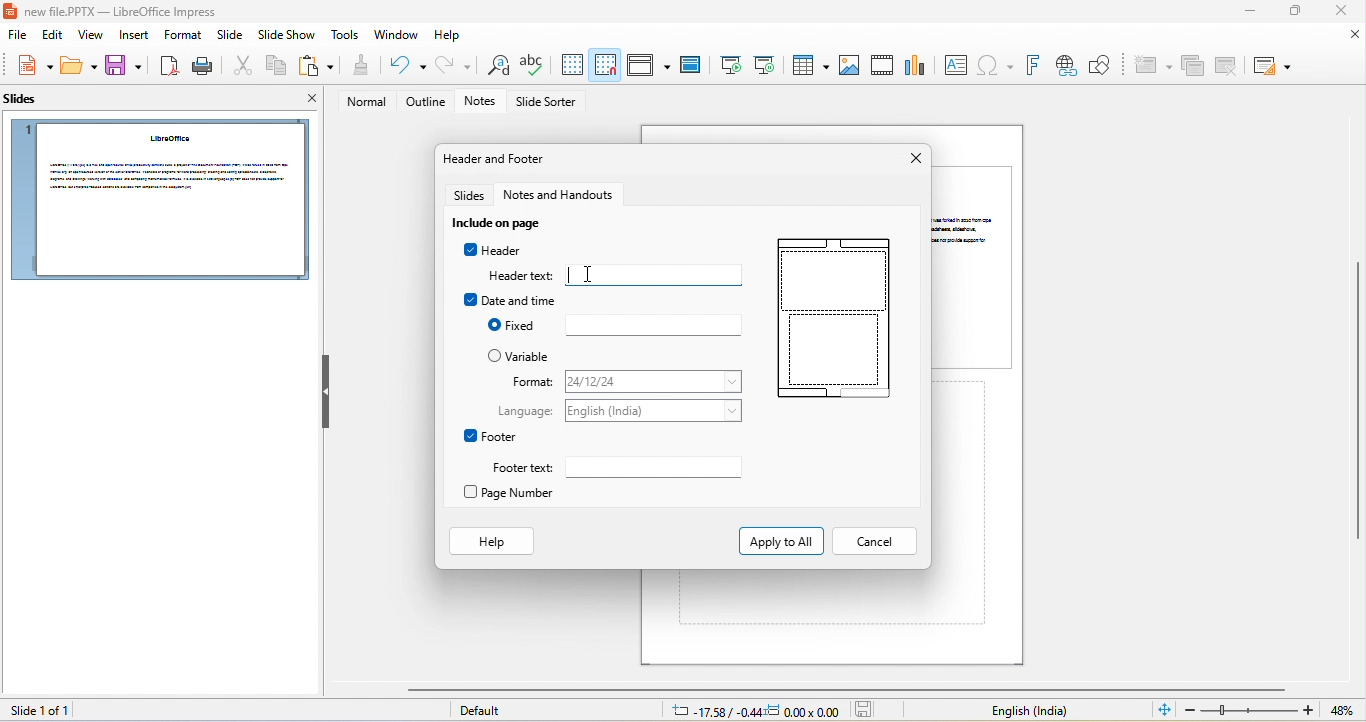 Image resolution: width=1366 pixels, height=722 pixels. Describe the element at coordinates (729, 65) in the screenshot. I see `start from first slide` at that location.